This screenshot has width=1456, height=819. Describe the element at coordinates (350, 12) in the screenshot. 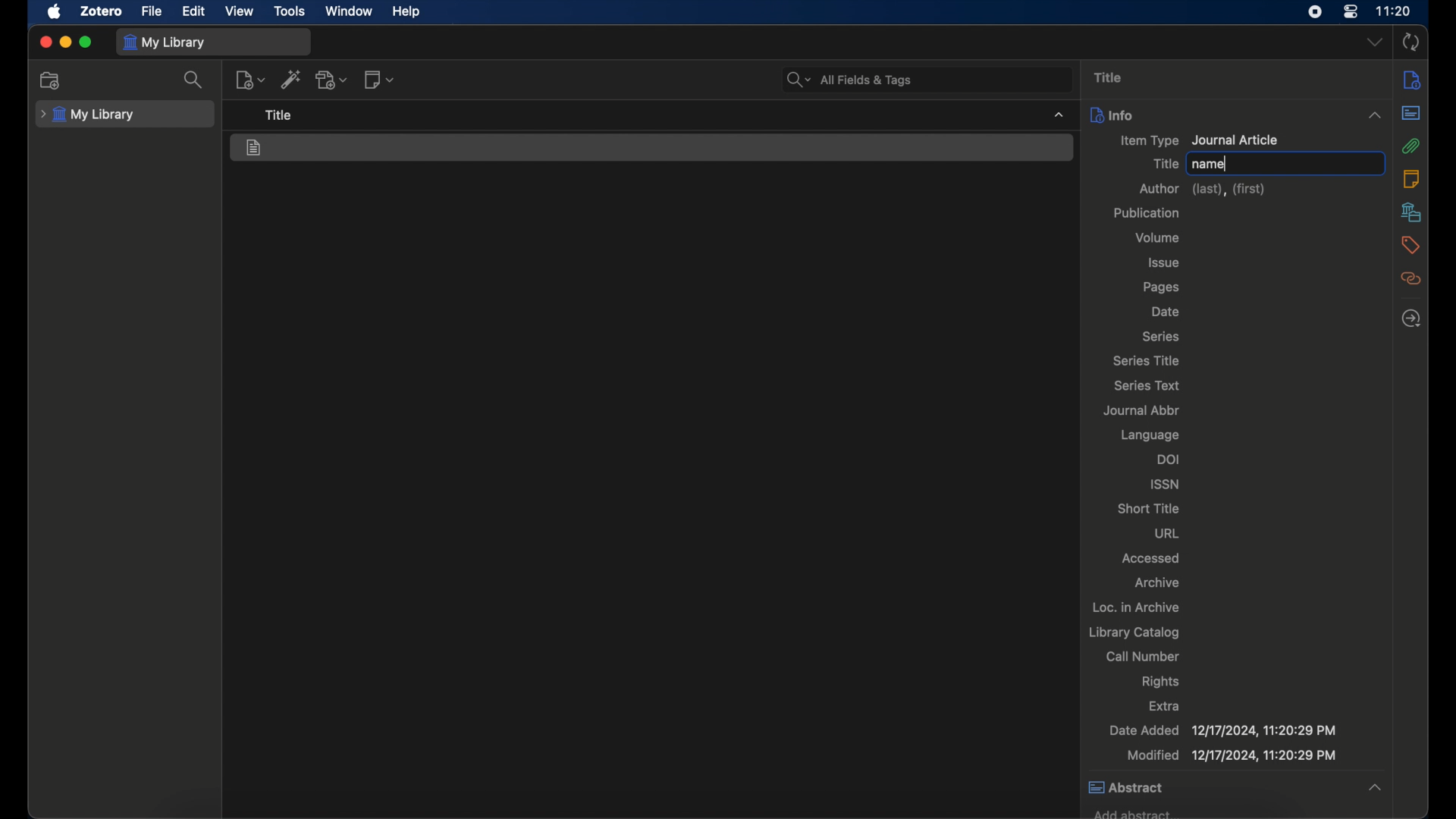

I see `window` at that location.